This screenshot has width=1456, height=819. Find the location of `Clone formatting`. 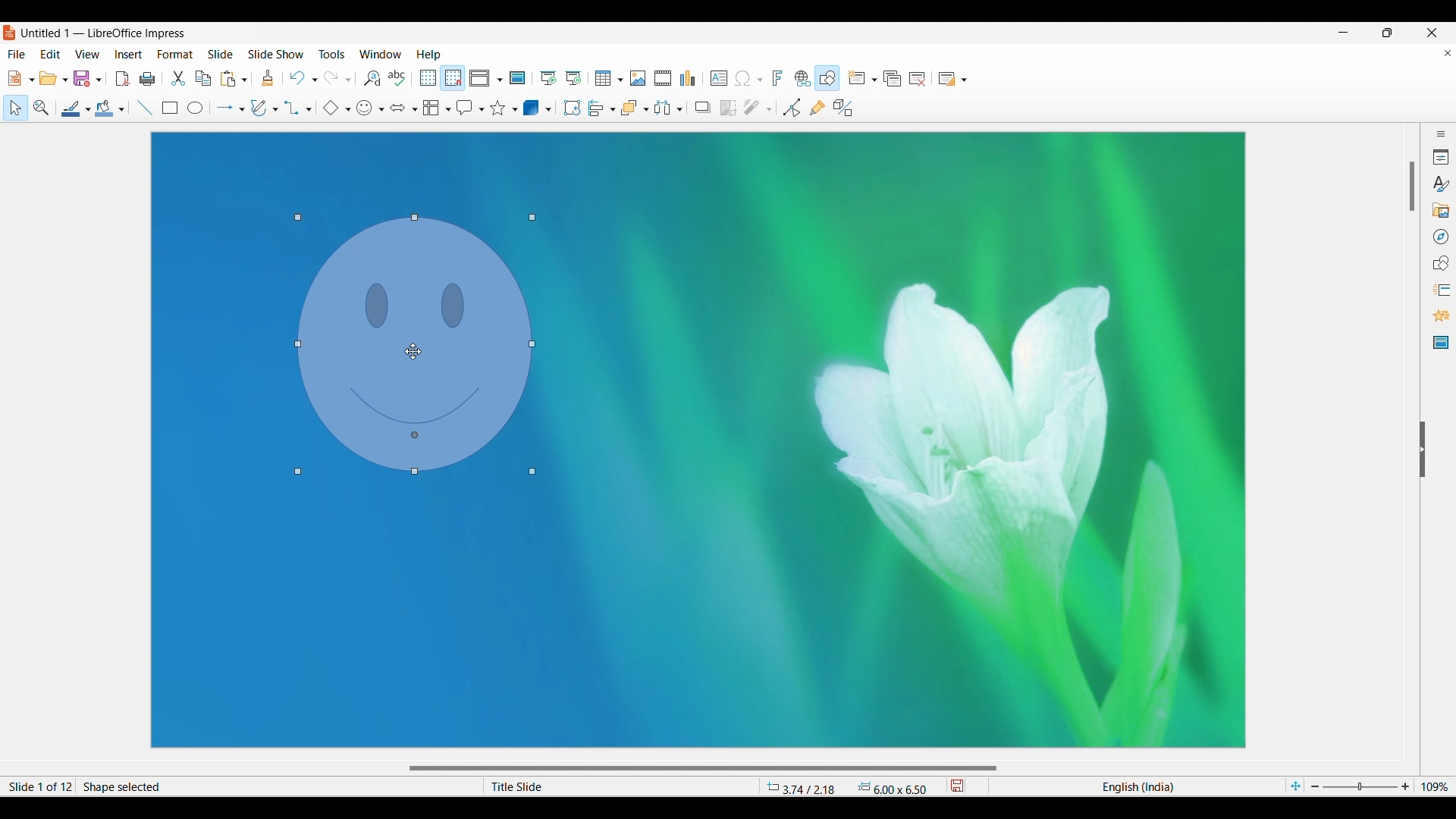

Clone formatting is located at coordinates (268, 77).